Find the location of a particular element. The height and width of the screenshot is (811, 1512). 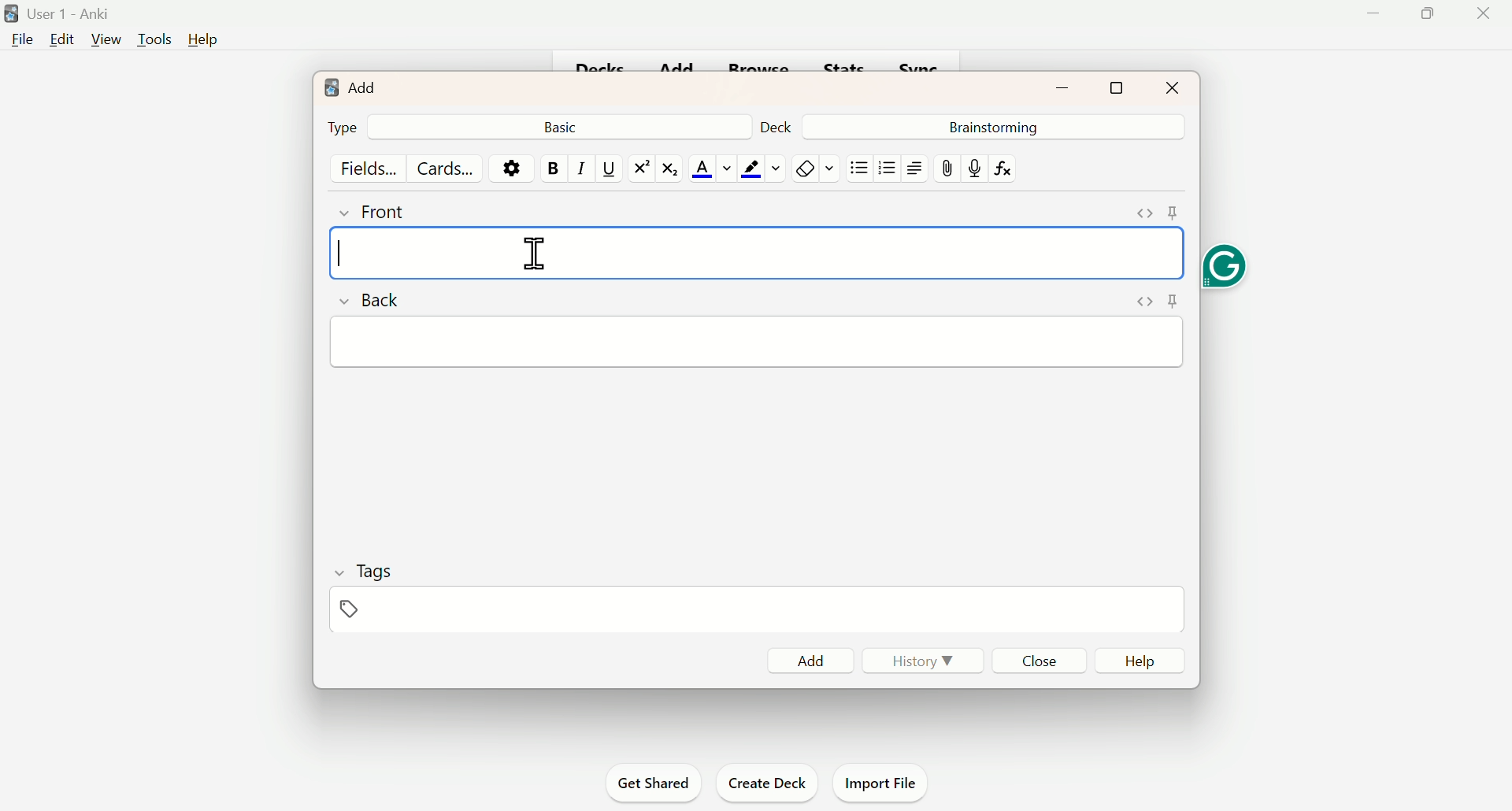

Italiac is located at coordinates (580, 167).